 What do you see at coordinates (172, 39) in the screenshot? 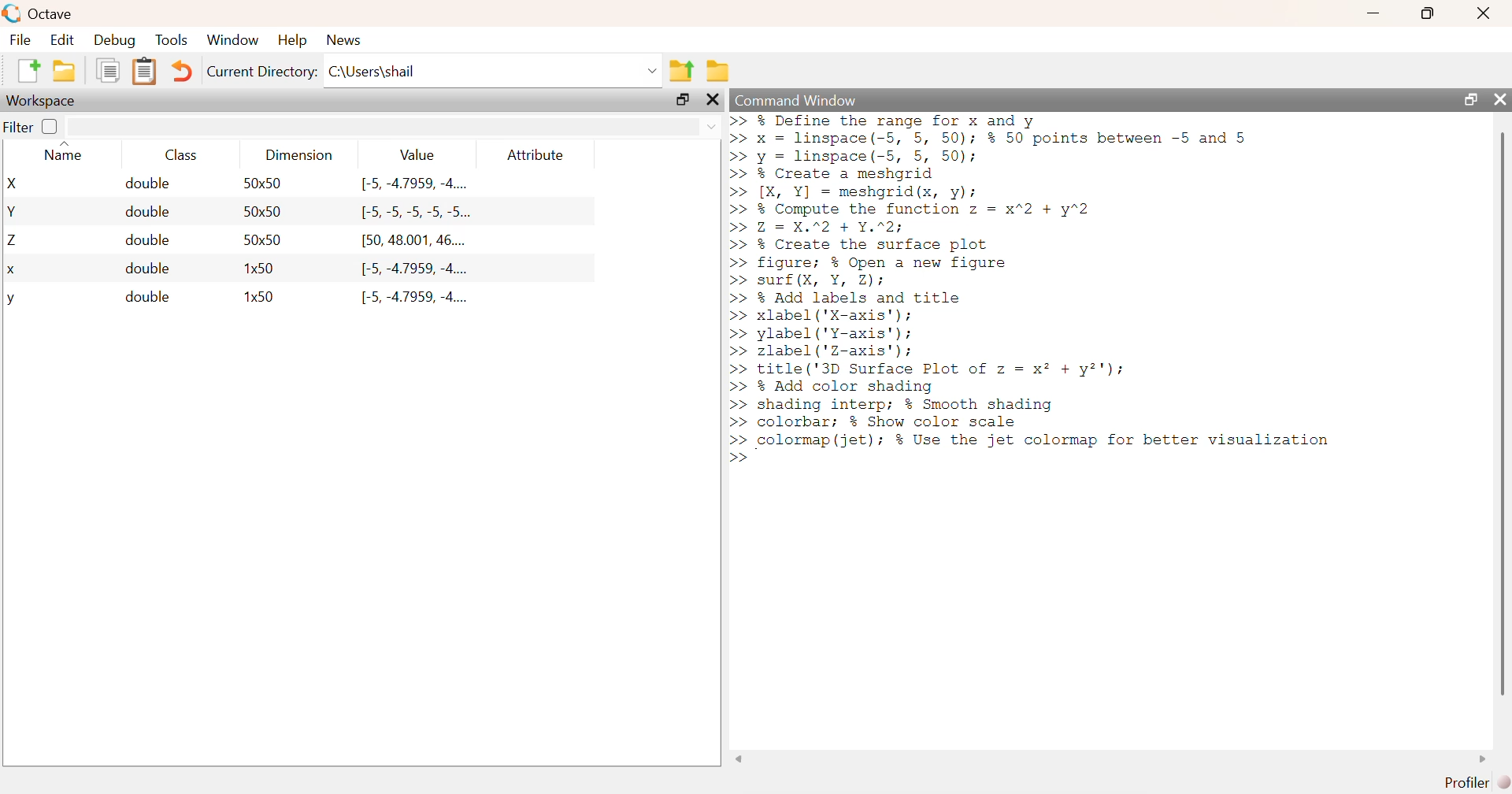
I see `Tools` at bounding box center [172, 39].